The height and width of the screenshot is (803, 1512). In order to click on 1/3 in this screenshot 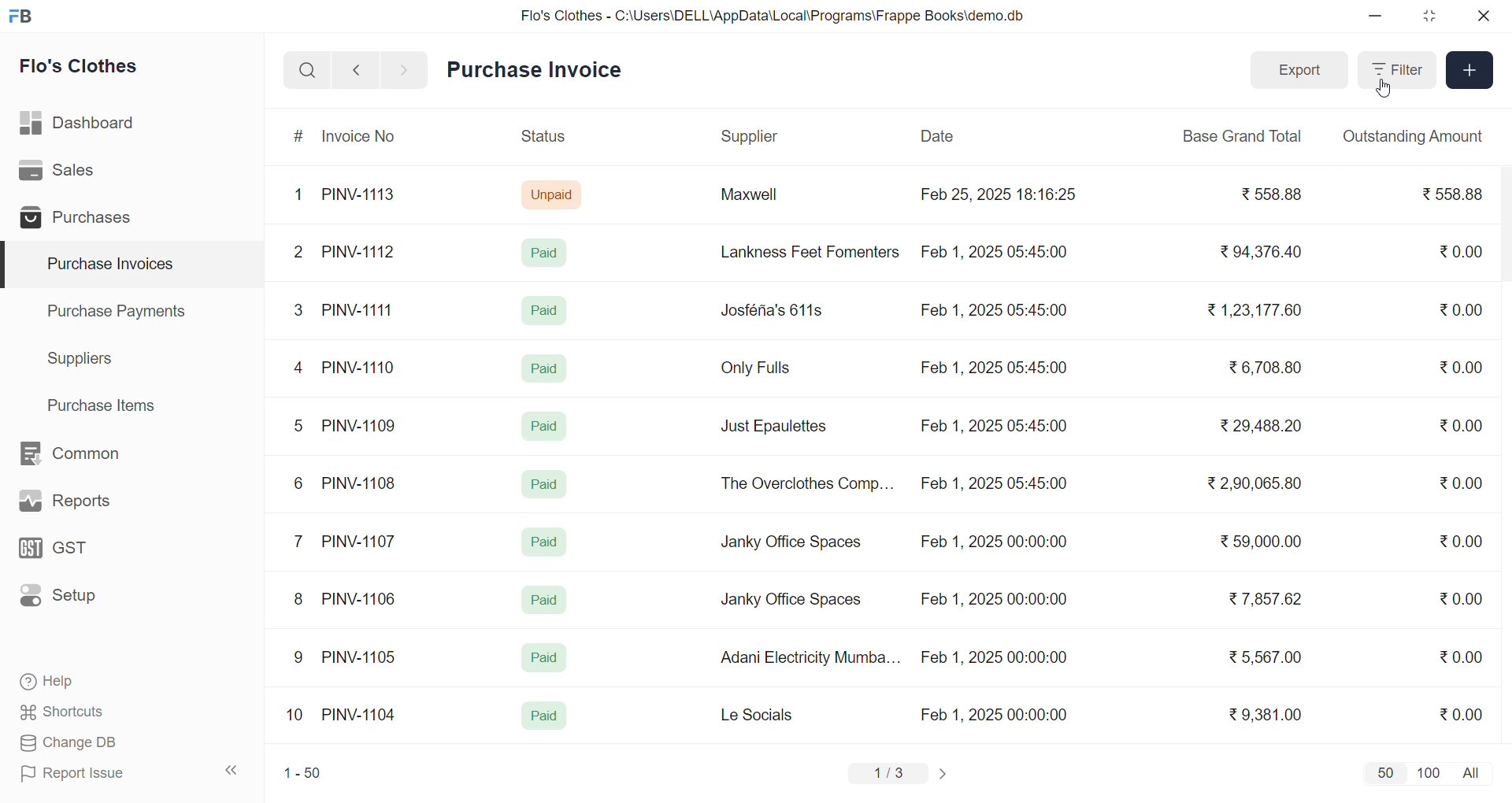, I will do `click(889, 775)`.